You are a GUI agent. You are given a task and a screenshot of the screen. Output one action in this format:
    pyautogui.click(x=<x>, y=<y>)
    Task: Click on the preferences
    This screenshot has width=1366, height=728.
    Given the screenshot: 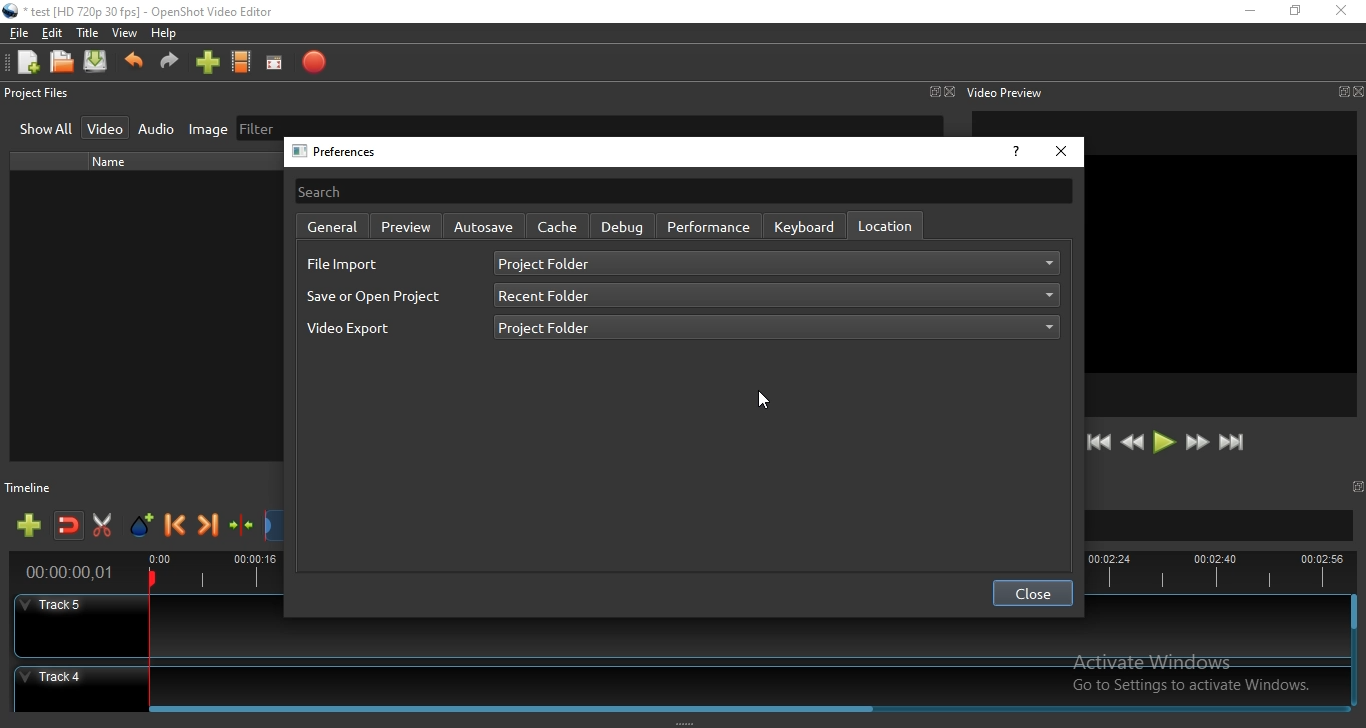 What is the action you would take?
    pyautogui.click(x=341, y=152)
    